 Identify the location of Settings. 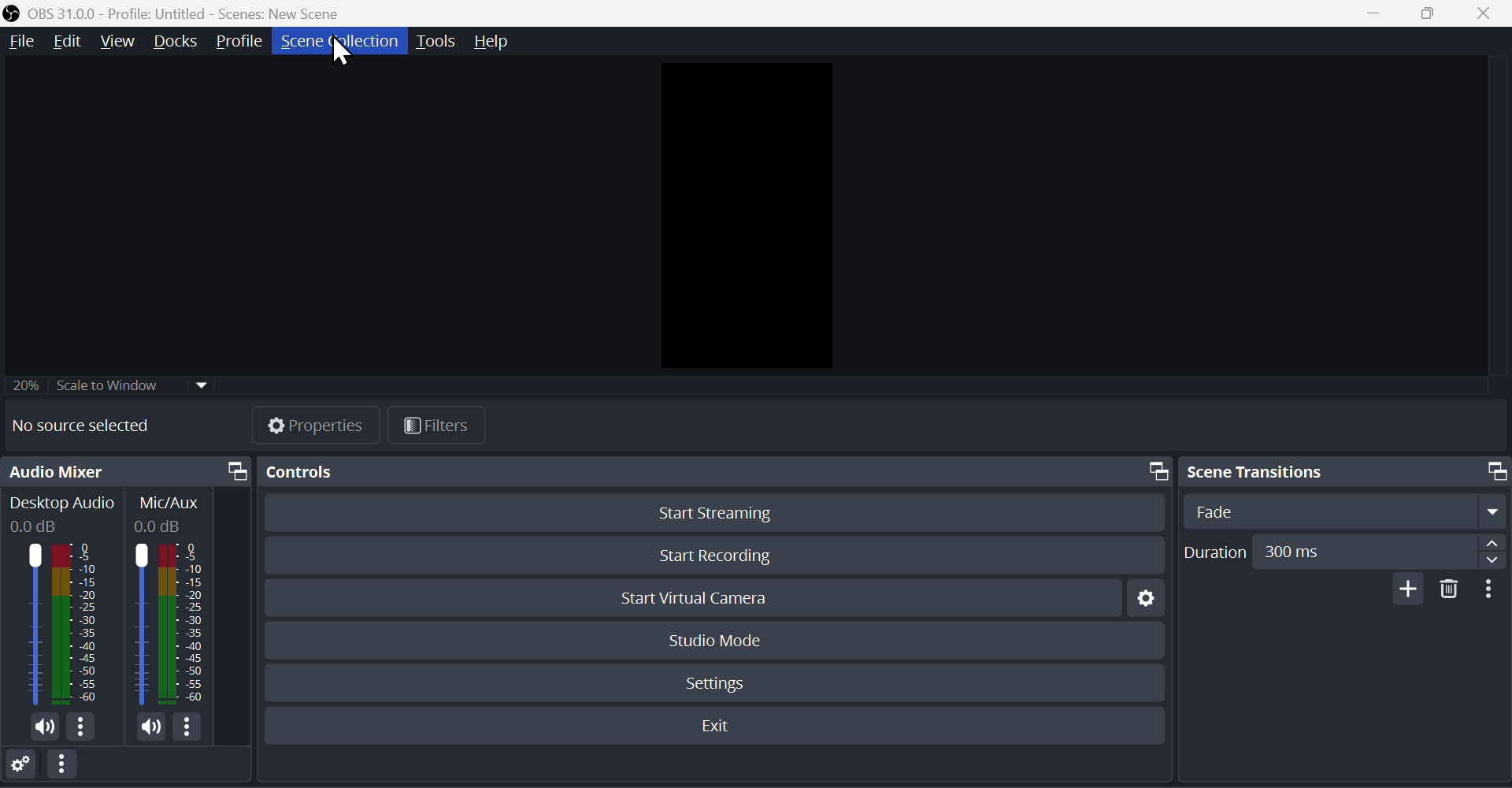
(1141, 603).